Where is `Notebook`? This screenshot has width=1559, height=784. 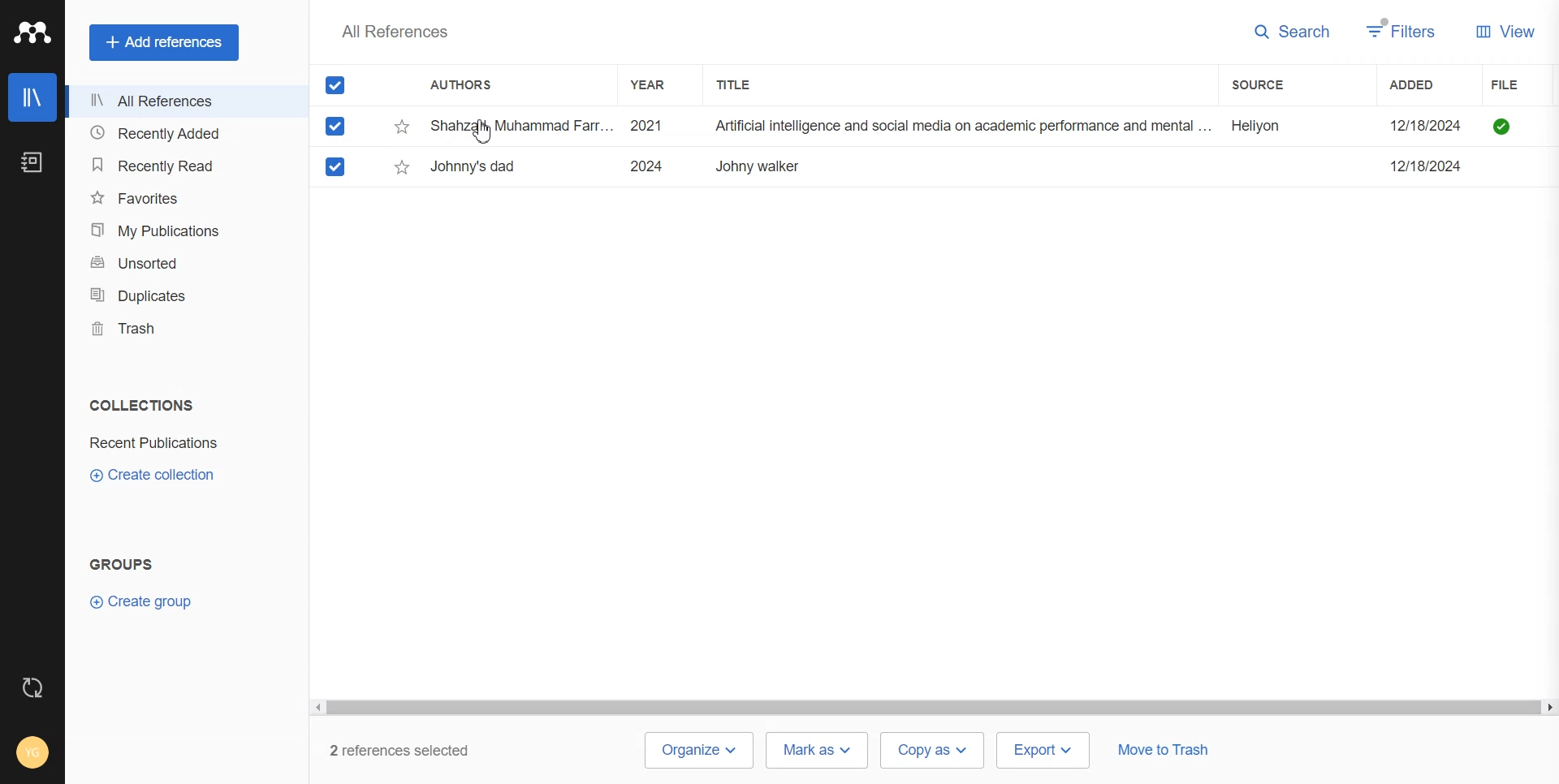 Notebook is located at coordinates (32, 162).